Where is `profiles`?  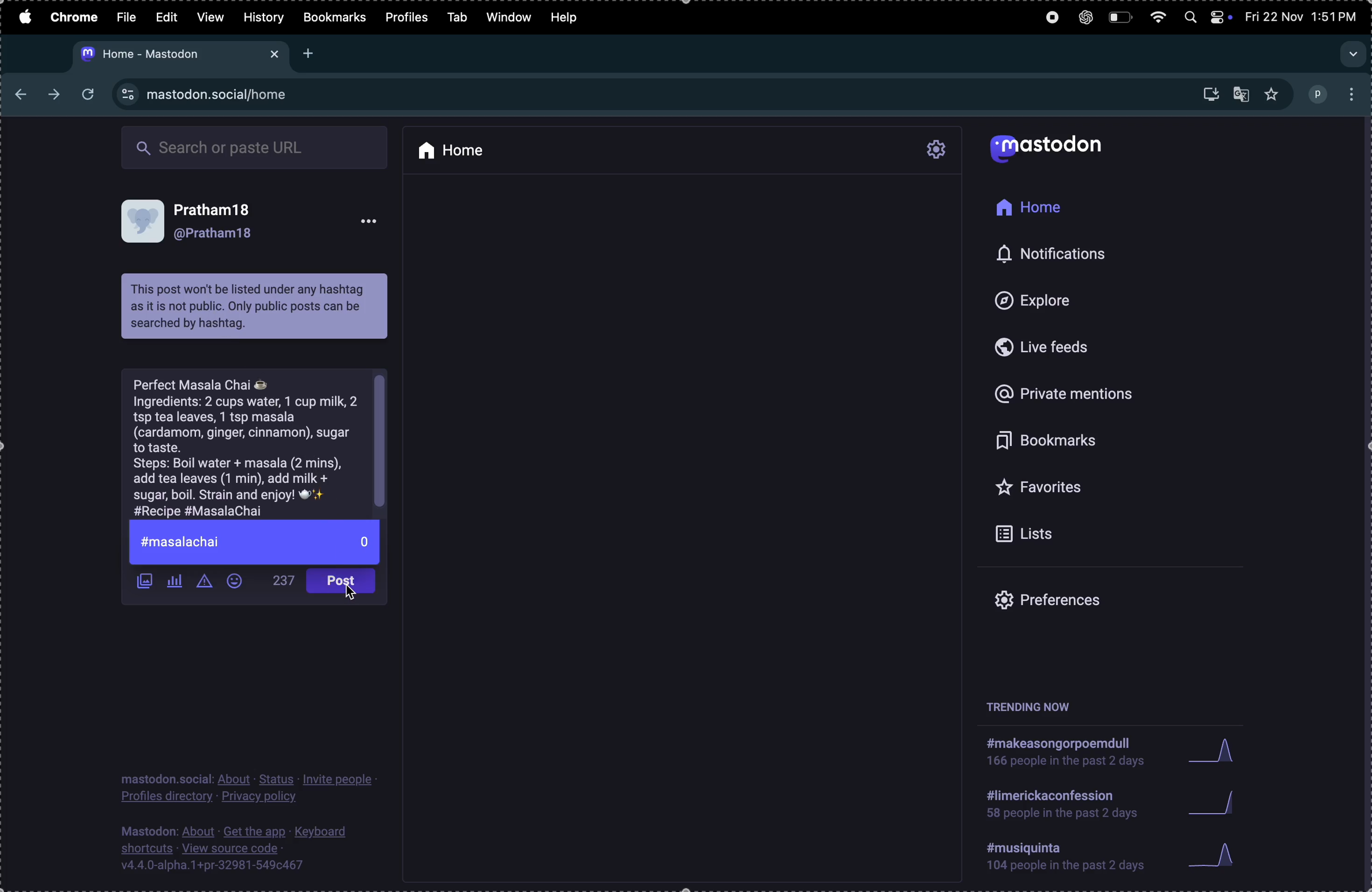
profiles is located at coordinates (405, 17).